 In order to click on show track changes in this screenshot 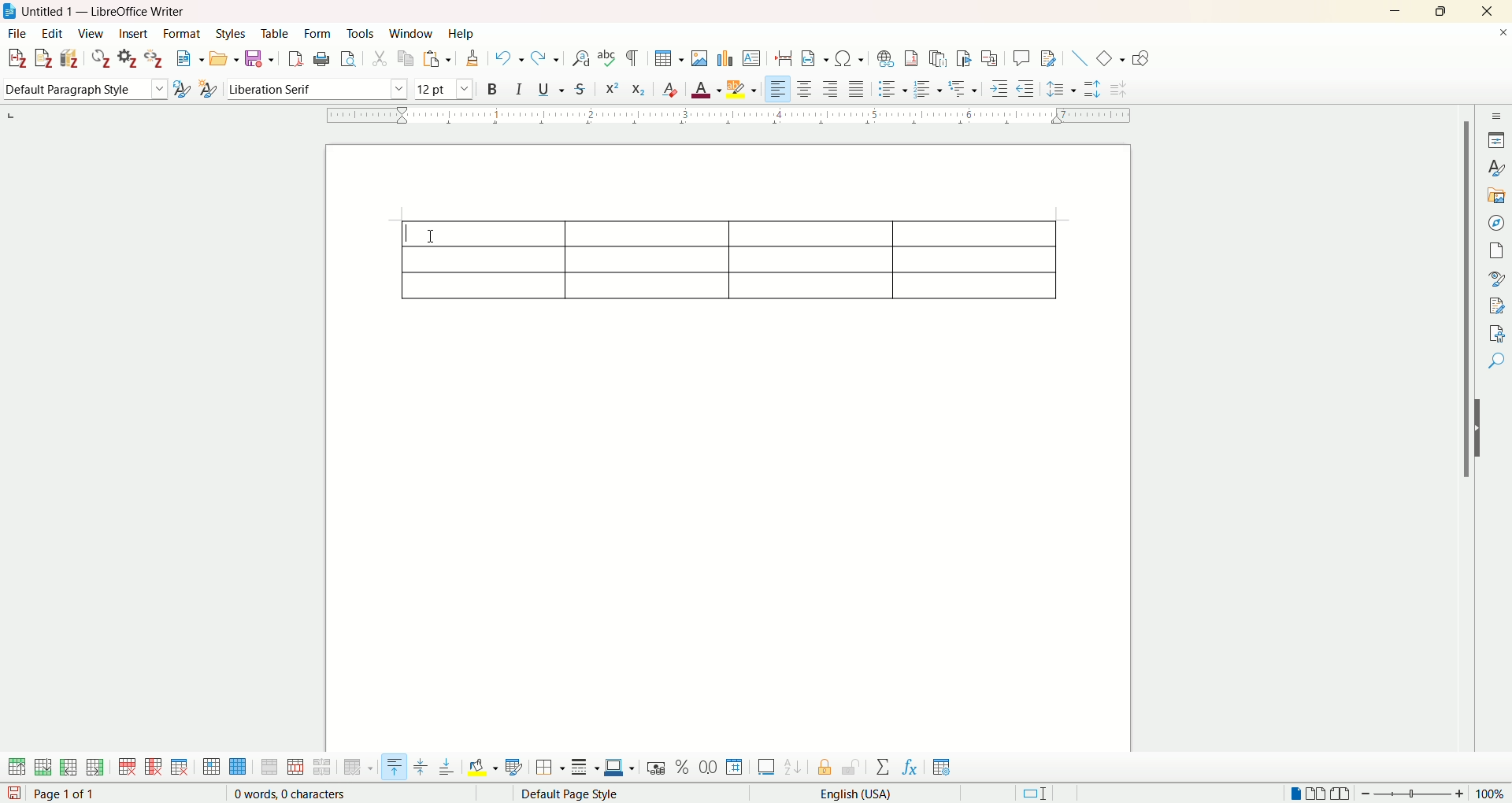, I will do `click(1054, 59)`.